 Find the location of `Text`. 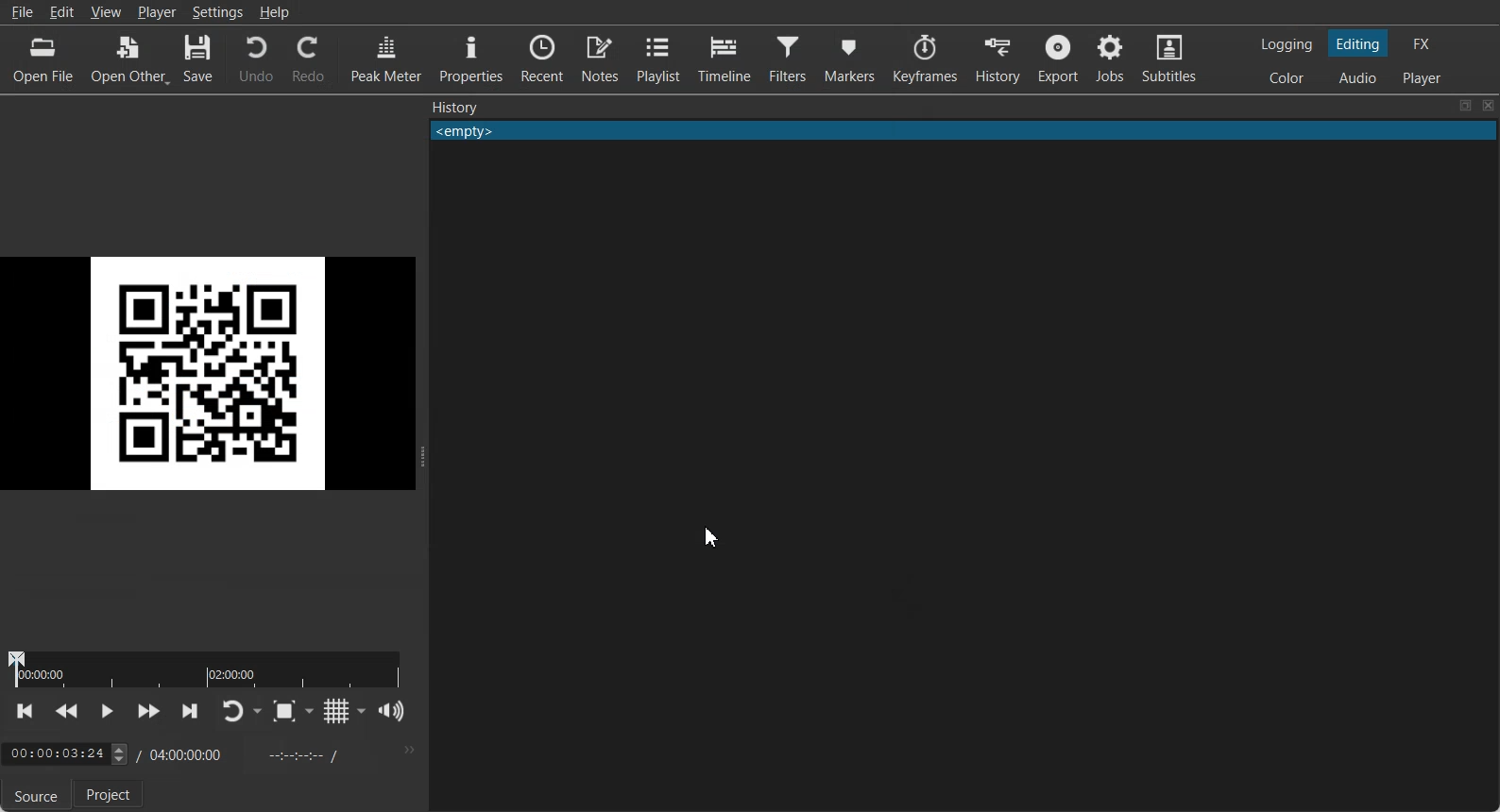

Text is located at coordinates (963, 131).